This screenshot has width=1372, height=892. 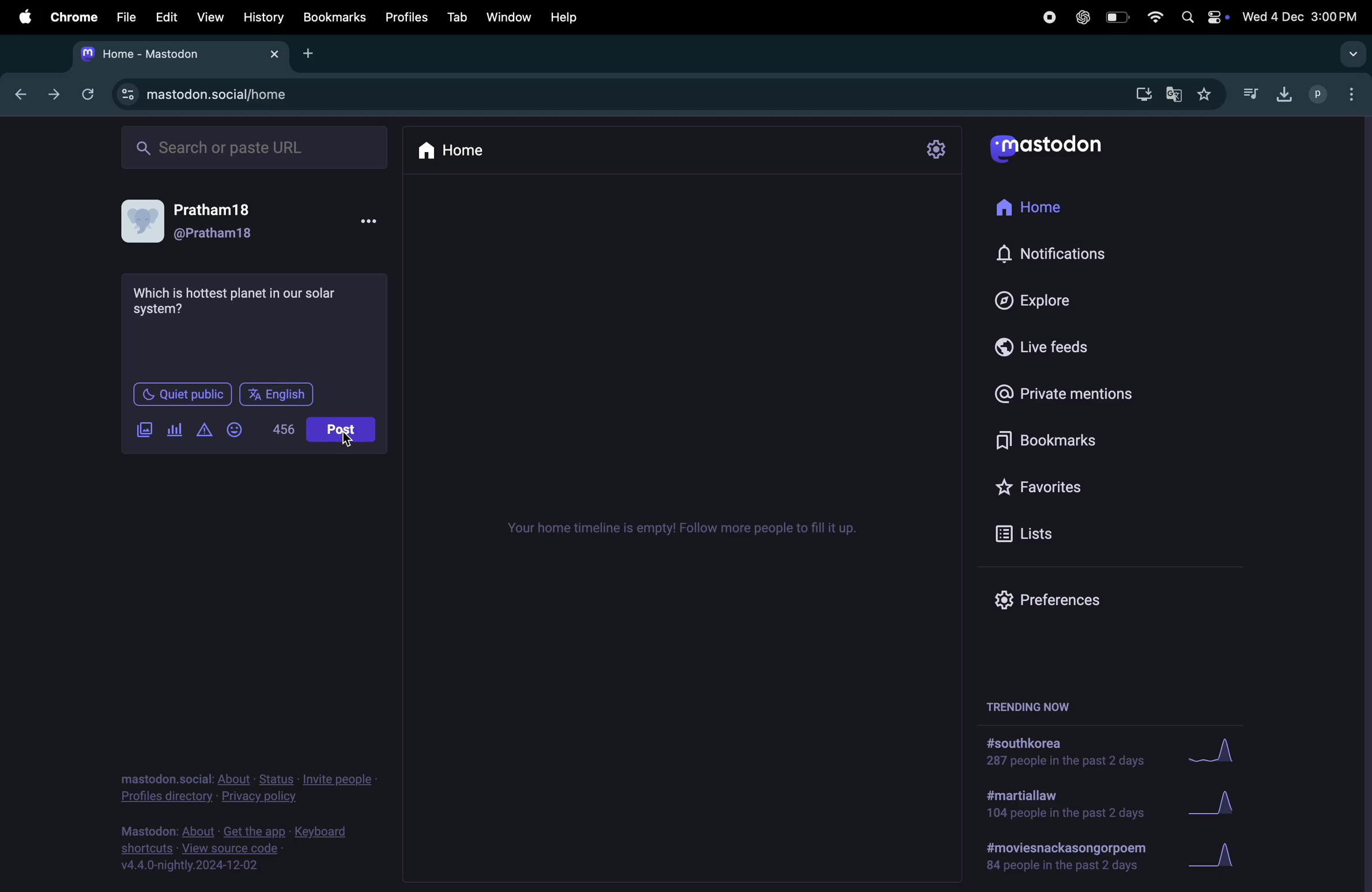 I want to click on alert, so click(x=203, y=430).